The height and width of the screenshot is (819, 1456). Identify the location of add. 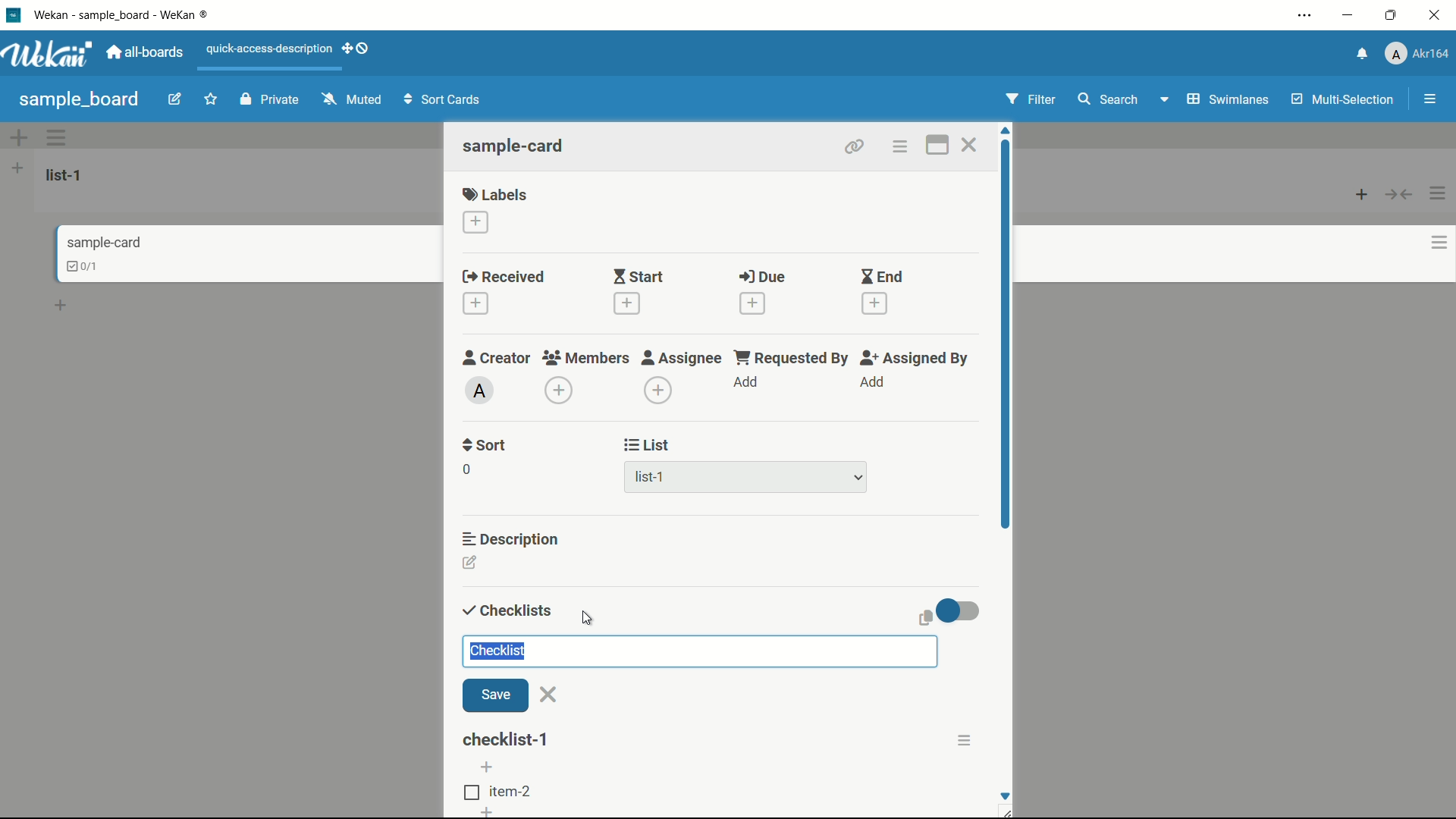
(871, 382).